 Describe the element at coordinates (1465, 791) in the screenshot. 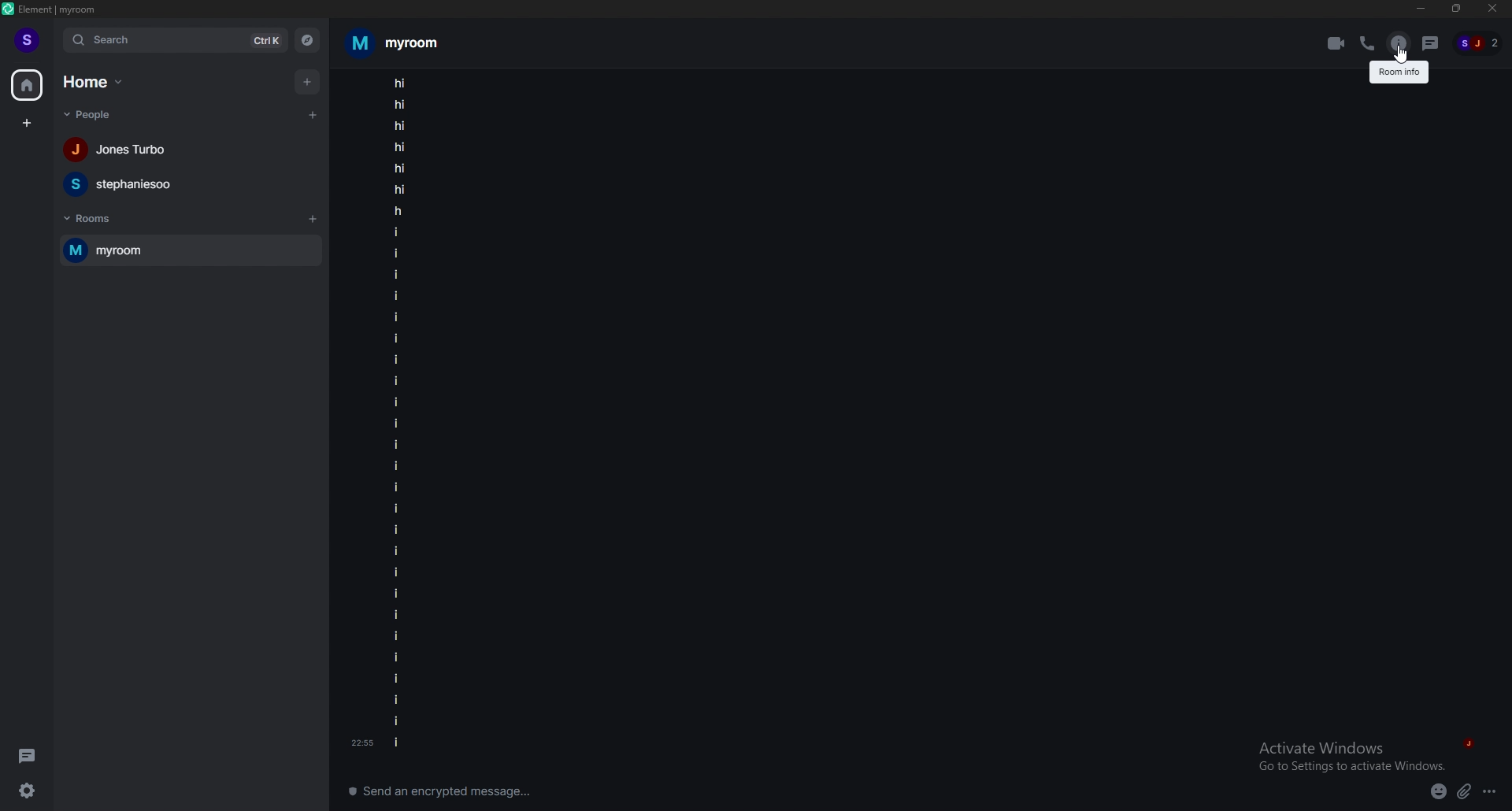

I see `attachment` at that location.